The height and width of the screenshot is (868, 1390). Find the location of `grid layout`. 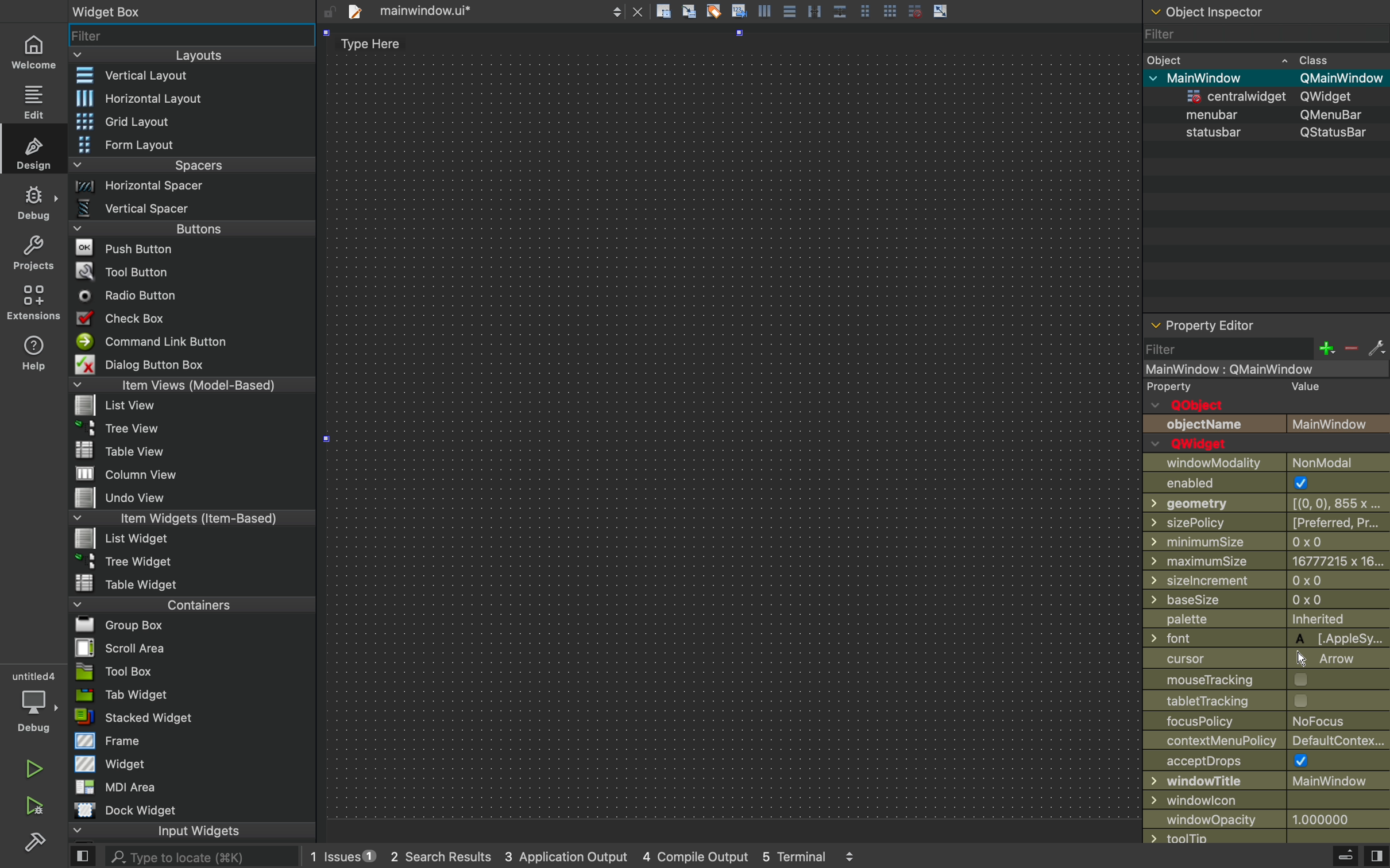

grid layout is located at coordinates (191, 121).